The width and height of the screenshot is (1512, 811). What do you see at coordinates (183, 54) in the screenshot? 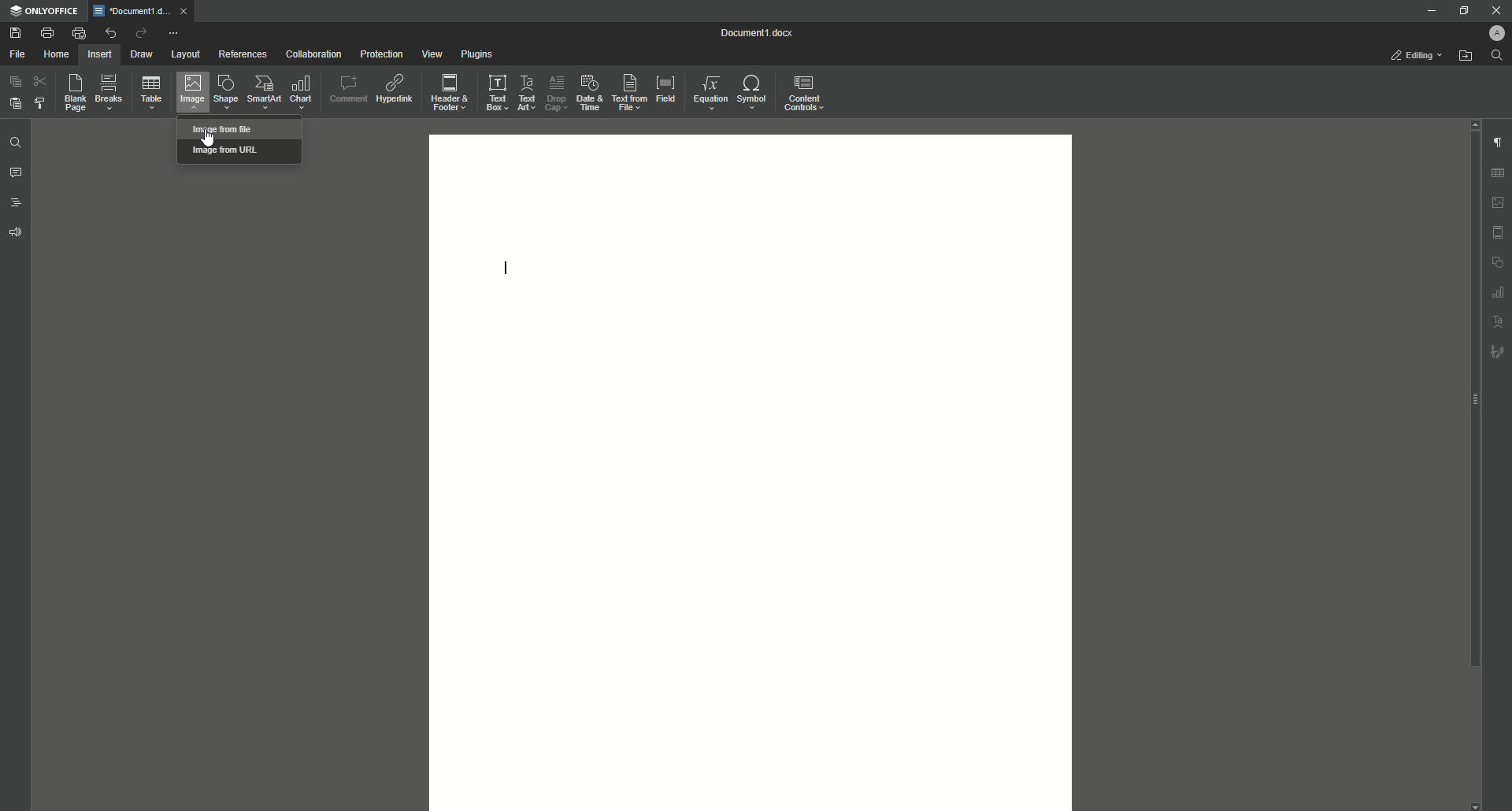
I see `Layout` at bounding box center [183, 54].